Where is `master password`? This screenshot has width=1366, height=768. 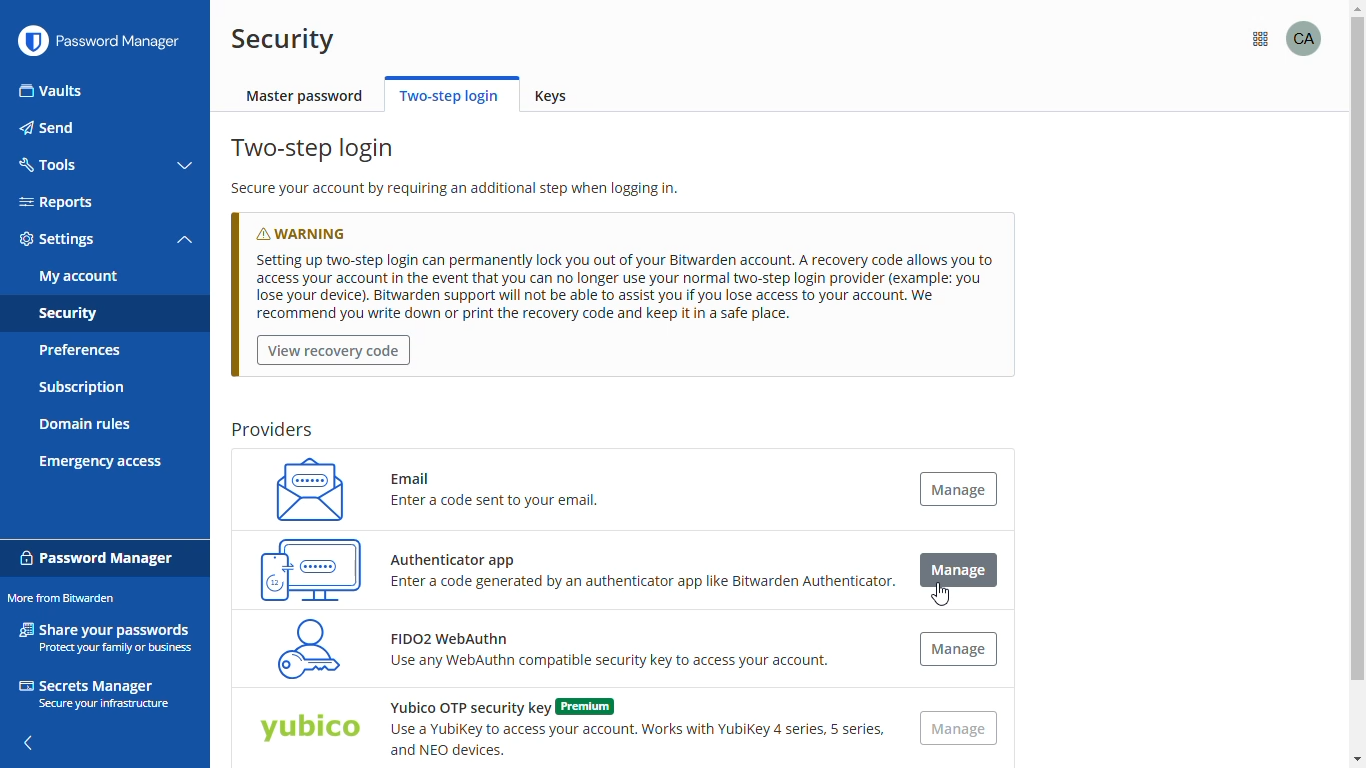 master password is located at coordinates (306, 97).